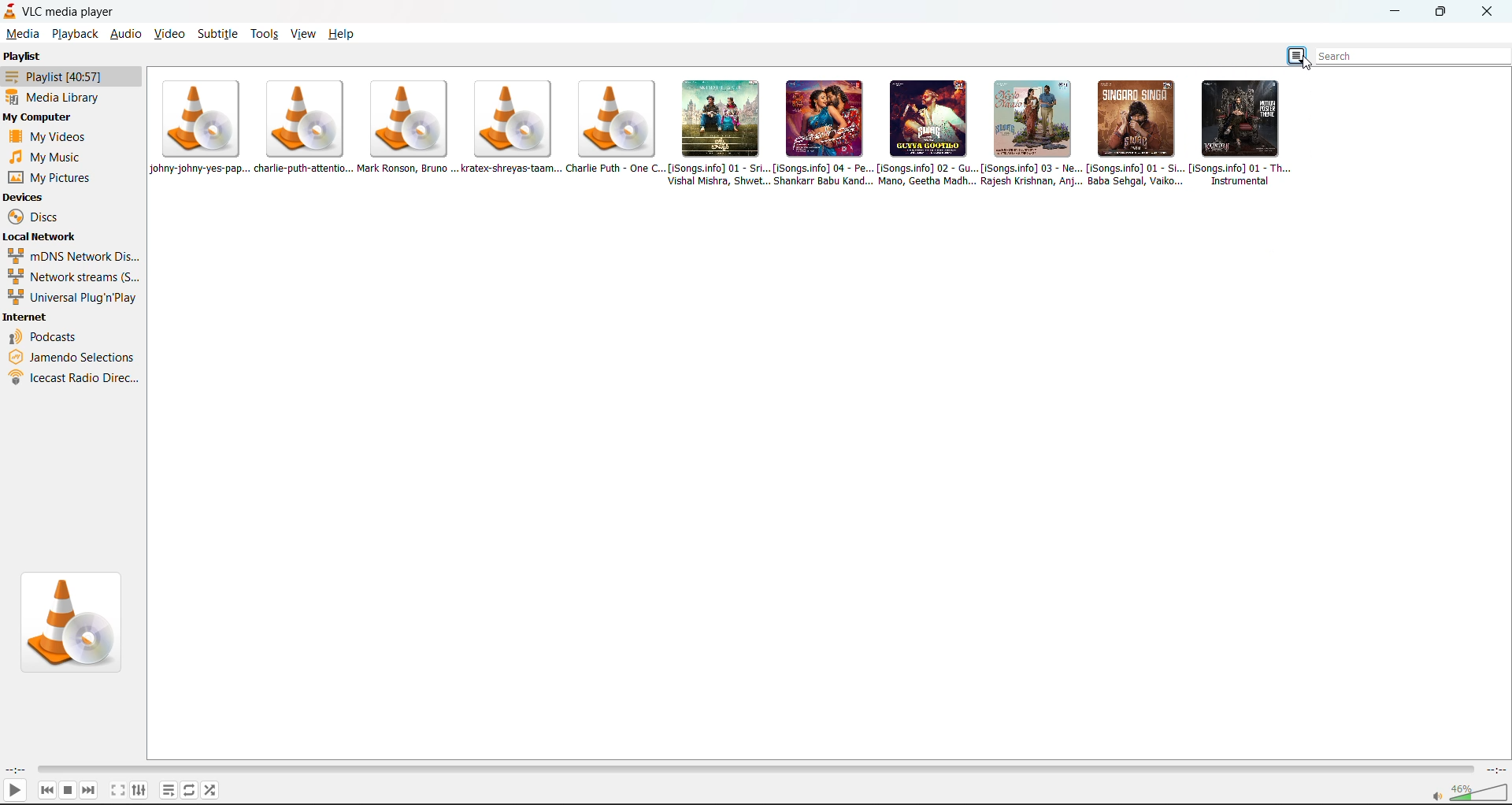 Image resolution: width=1512 pixels, height=805 pixels. What do you see at coordinates (72, 277) in the screenshot?
I see `network streams` at bounding box center [72, 277].